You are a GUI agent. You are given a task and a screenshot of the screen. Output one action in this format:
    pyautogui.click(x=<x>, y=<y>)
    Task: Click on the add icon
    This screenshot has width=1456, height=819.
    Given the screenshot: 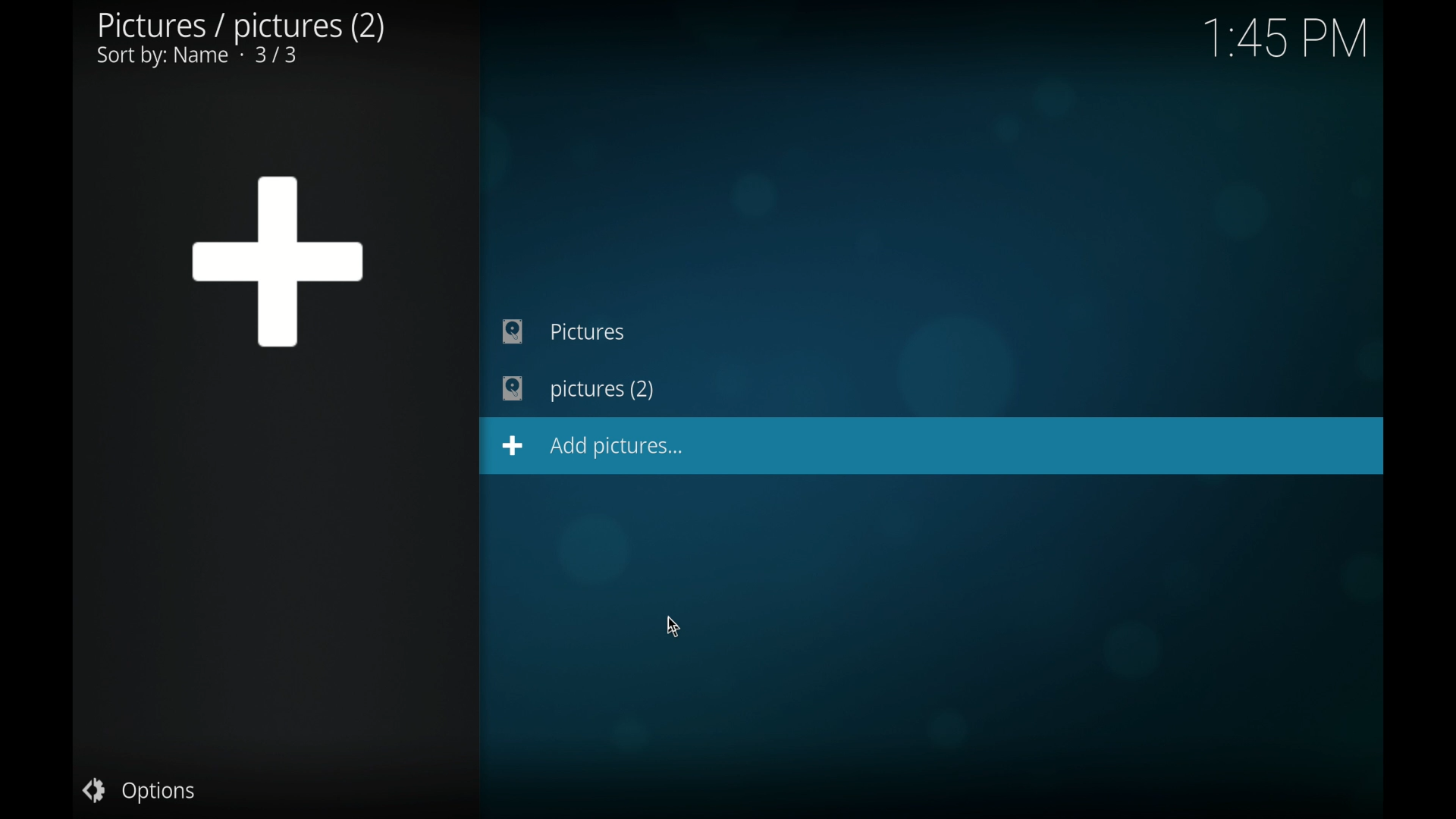 What is the action you would take?
    pyautogui.click(x=281, y=260)
    